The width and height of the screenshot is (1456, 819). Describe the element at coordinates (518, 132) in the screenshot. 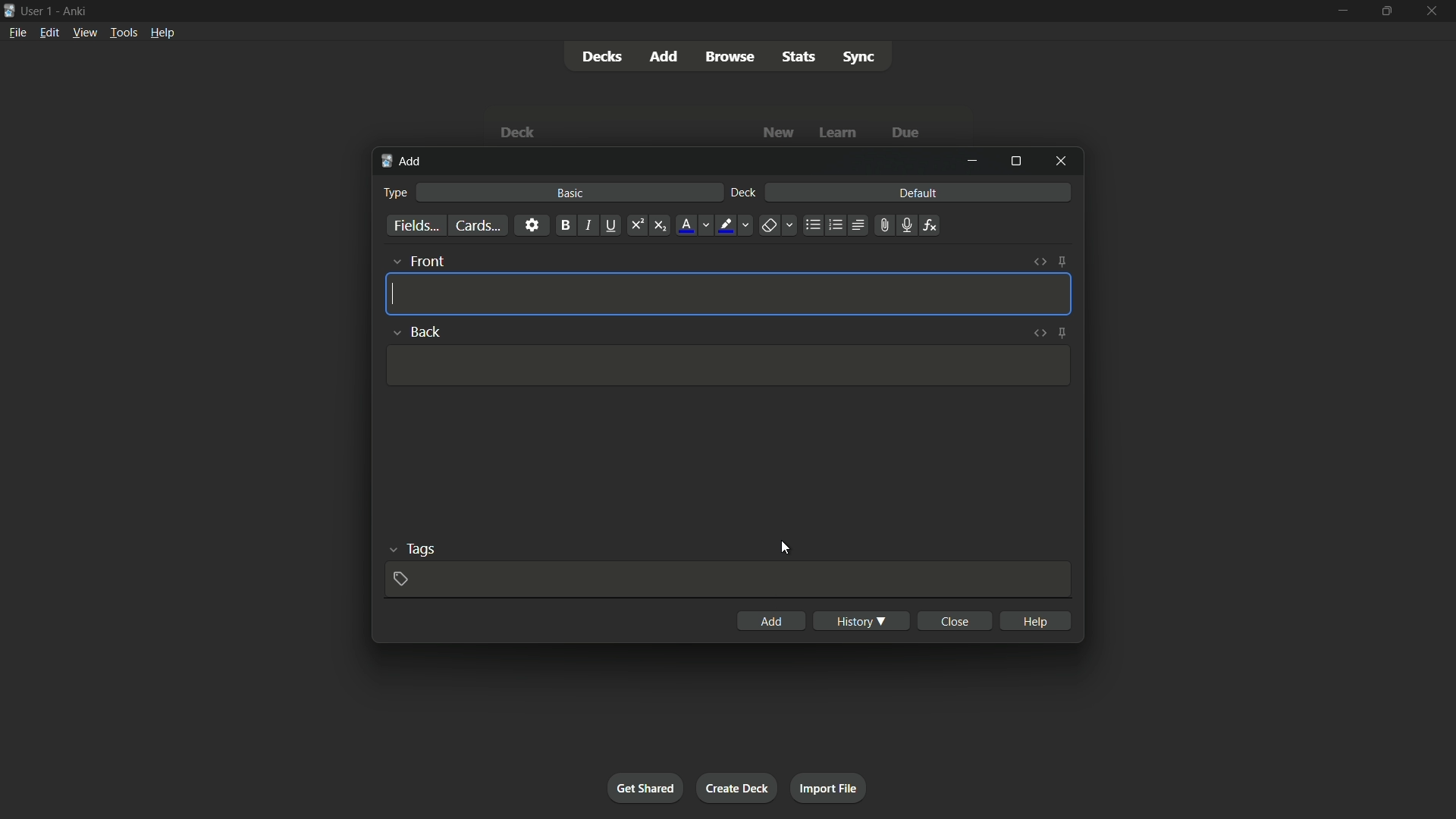

I see `deck` at that location.